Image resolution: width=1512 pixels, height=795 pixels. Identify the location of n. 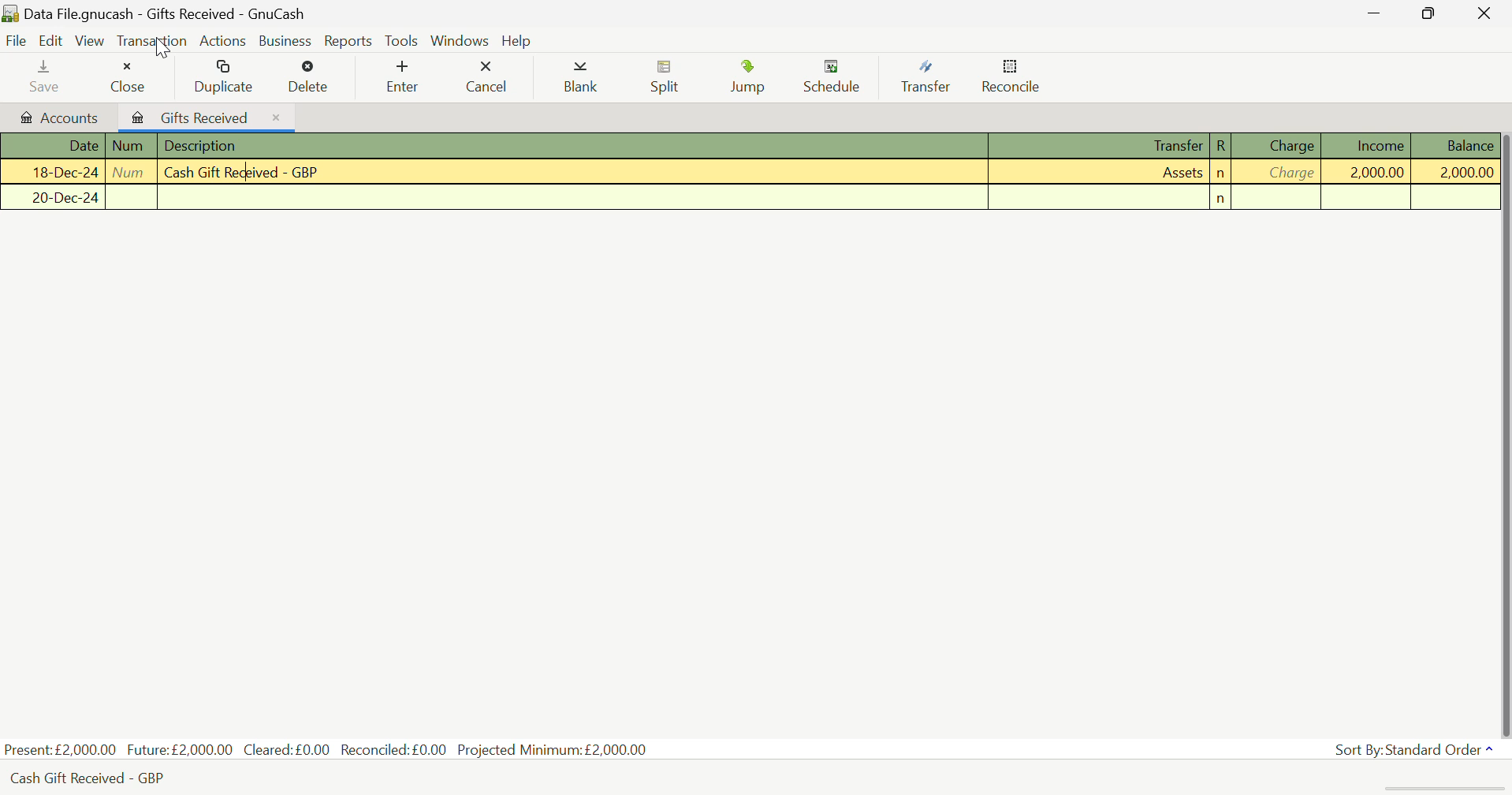
(1221, 174).